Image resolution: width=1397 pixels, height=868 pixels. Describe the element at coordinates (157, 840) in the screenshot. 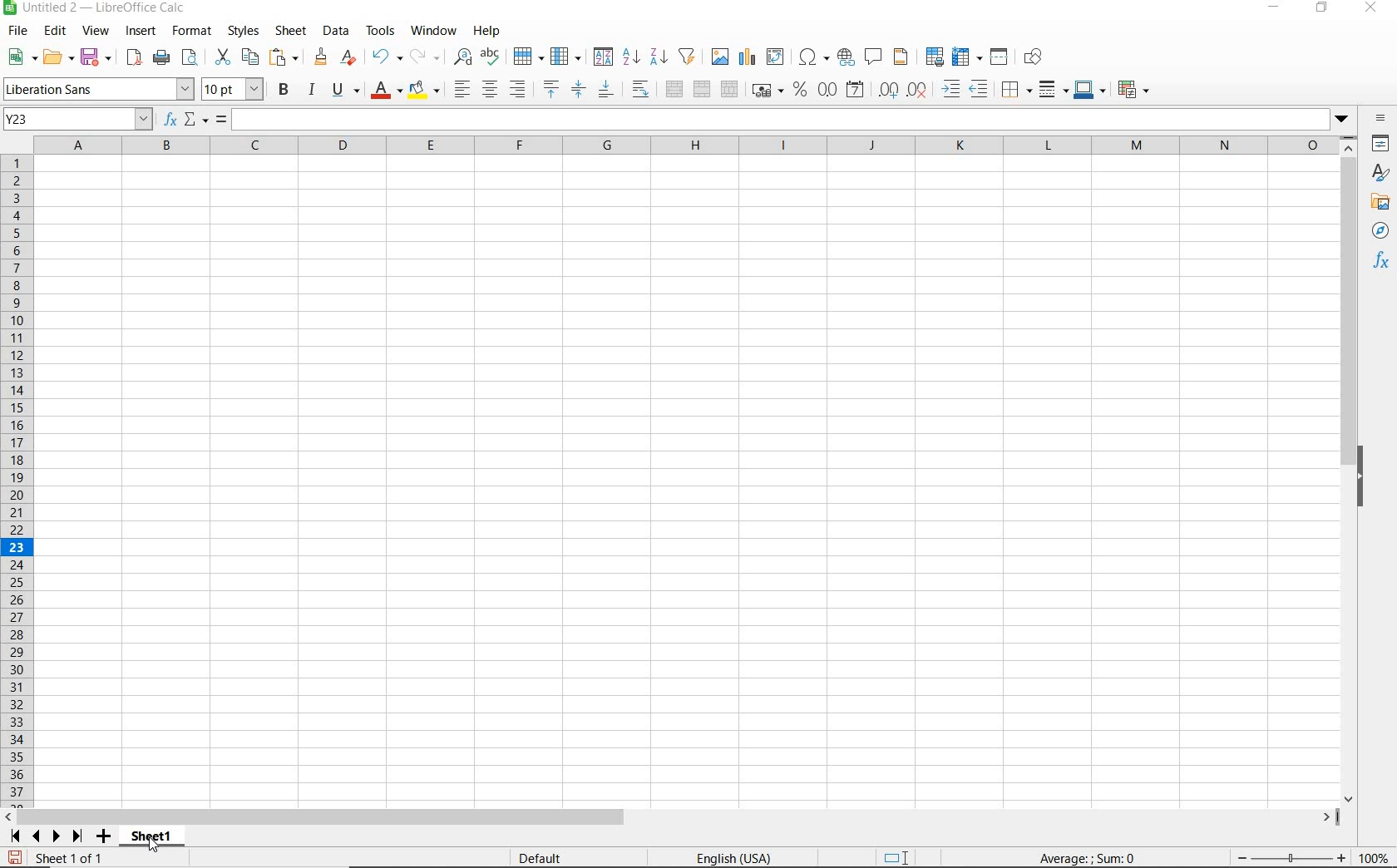

I see `SHEET1` at that location.